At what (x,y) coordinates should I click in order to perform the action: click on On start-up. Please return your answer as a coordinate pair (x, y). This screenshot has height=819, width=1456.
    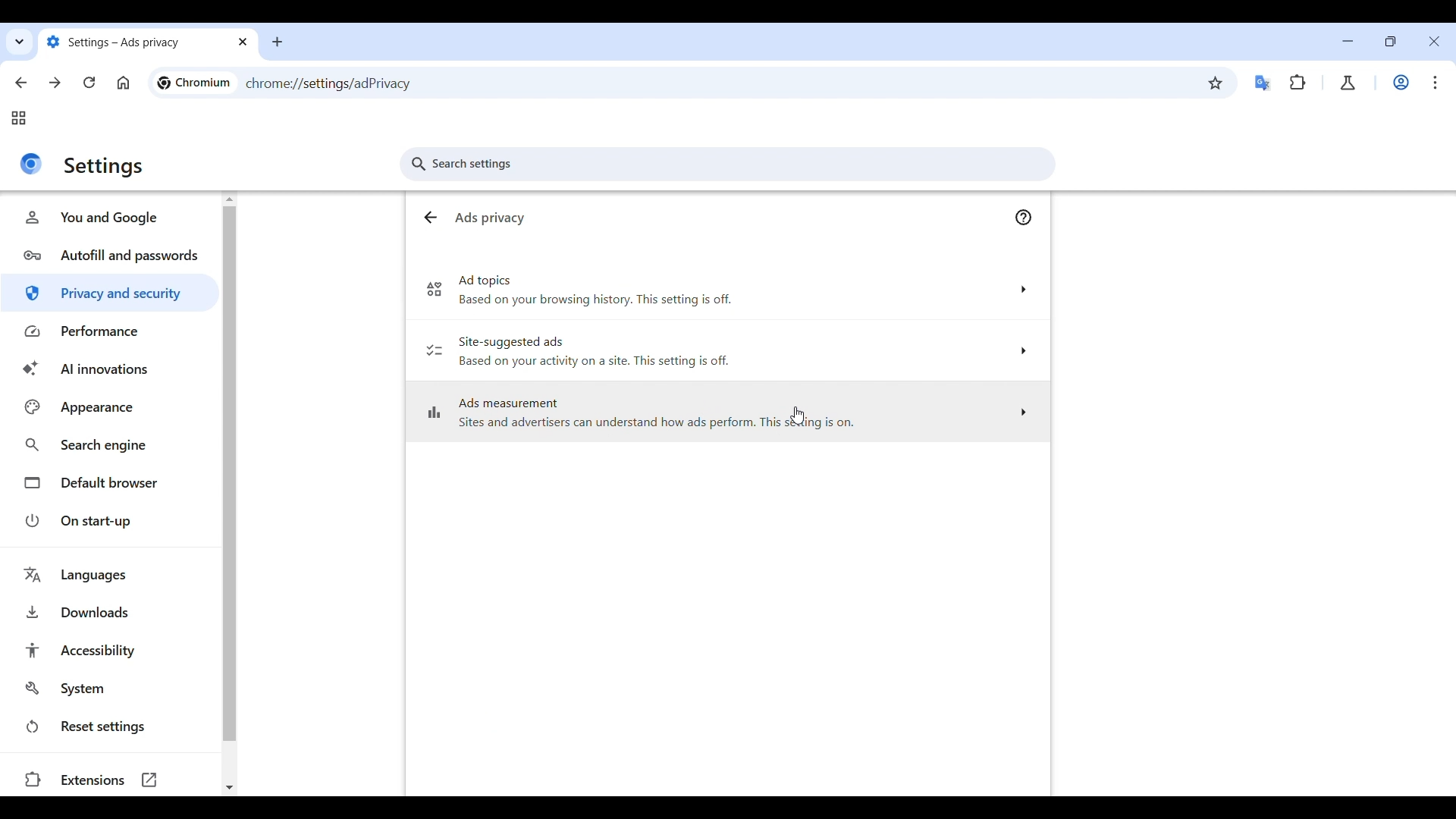
    Looking at the image, I should click on (109, 520).